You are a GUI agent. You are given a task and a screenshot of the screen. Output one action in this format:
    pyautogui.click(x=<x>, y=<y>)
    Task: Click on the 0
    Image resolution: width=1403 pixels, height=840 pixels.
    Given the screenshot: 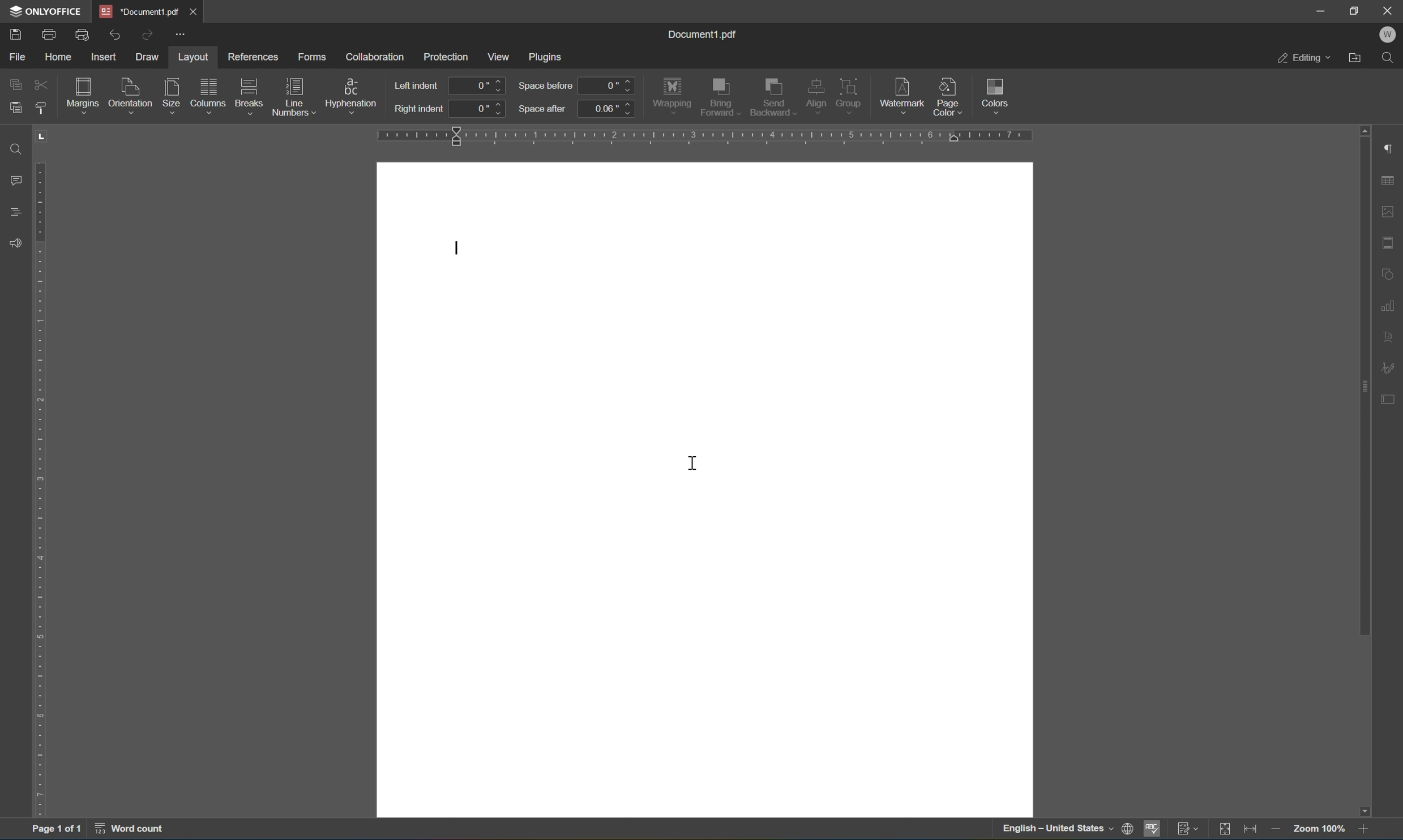 What is the action you would take?
    pyautogui.click(x=609, y=85)
    